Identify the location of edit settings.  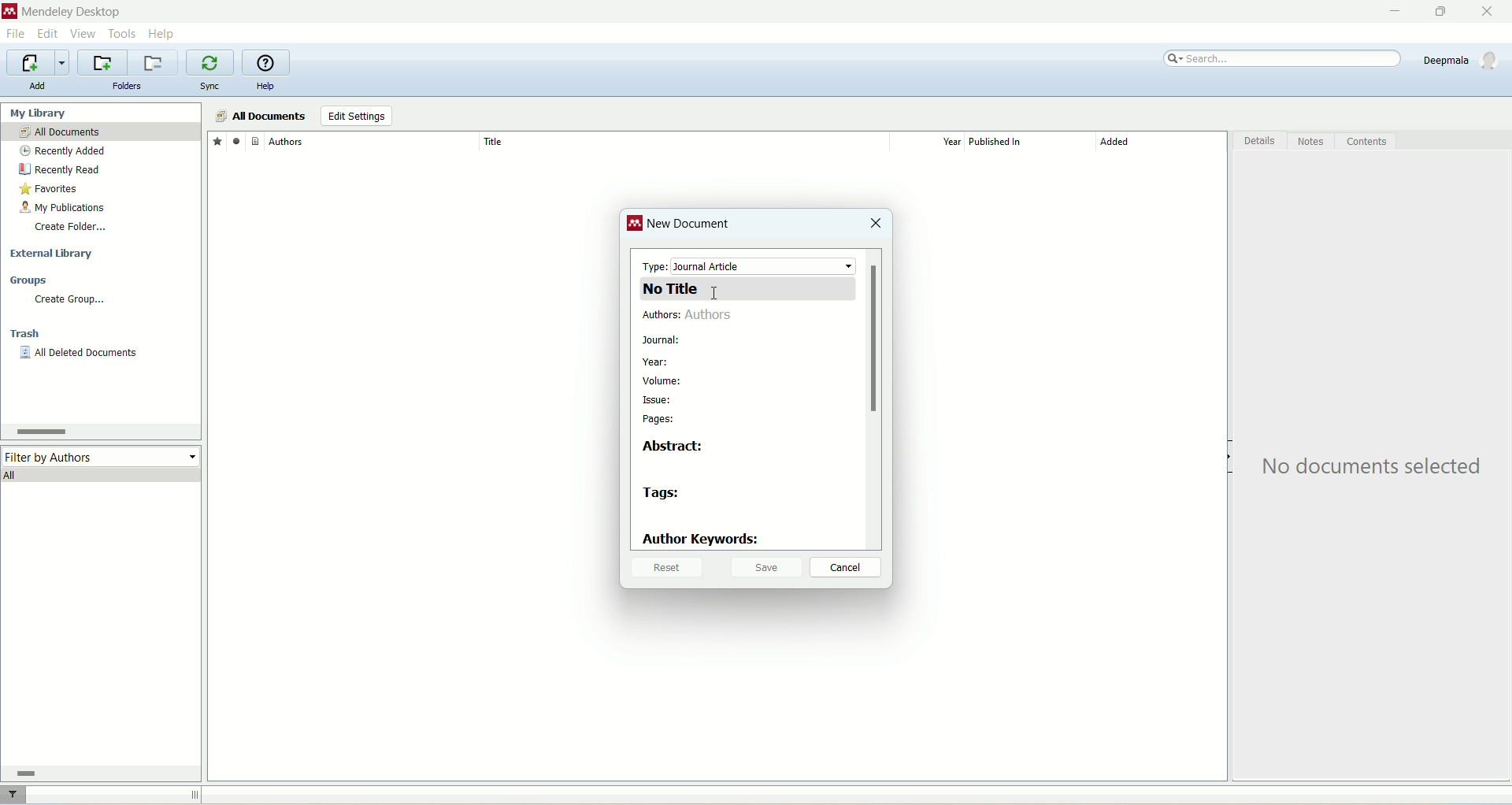
(356, 117).